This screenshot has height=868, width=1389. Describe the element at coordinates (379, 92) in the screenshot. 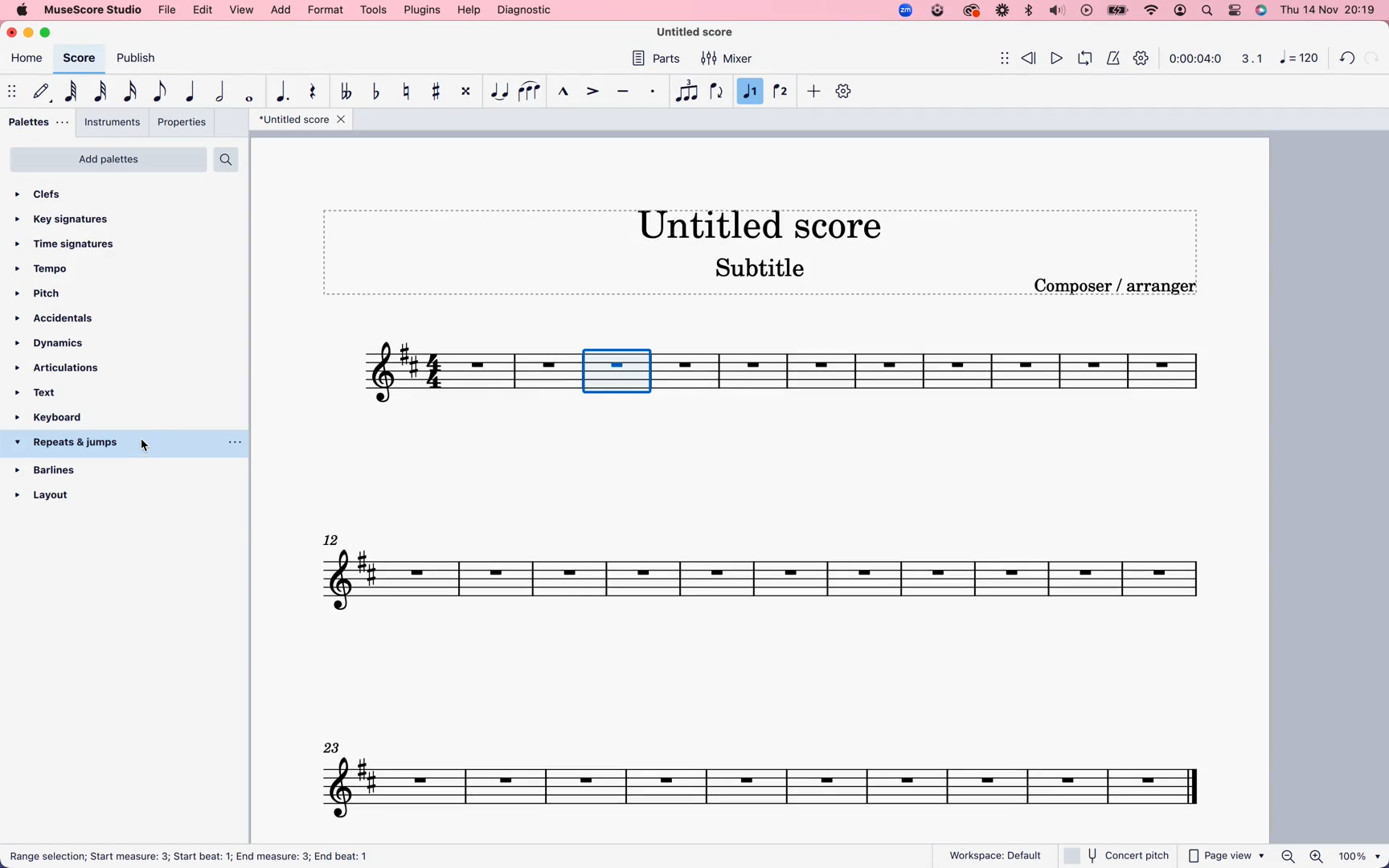

I see `toggle flat` at that location.